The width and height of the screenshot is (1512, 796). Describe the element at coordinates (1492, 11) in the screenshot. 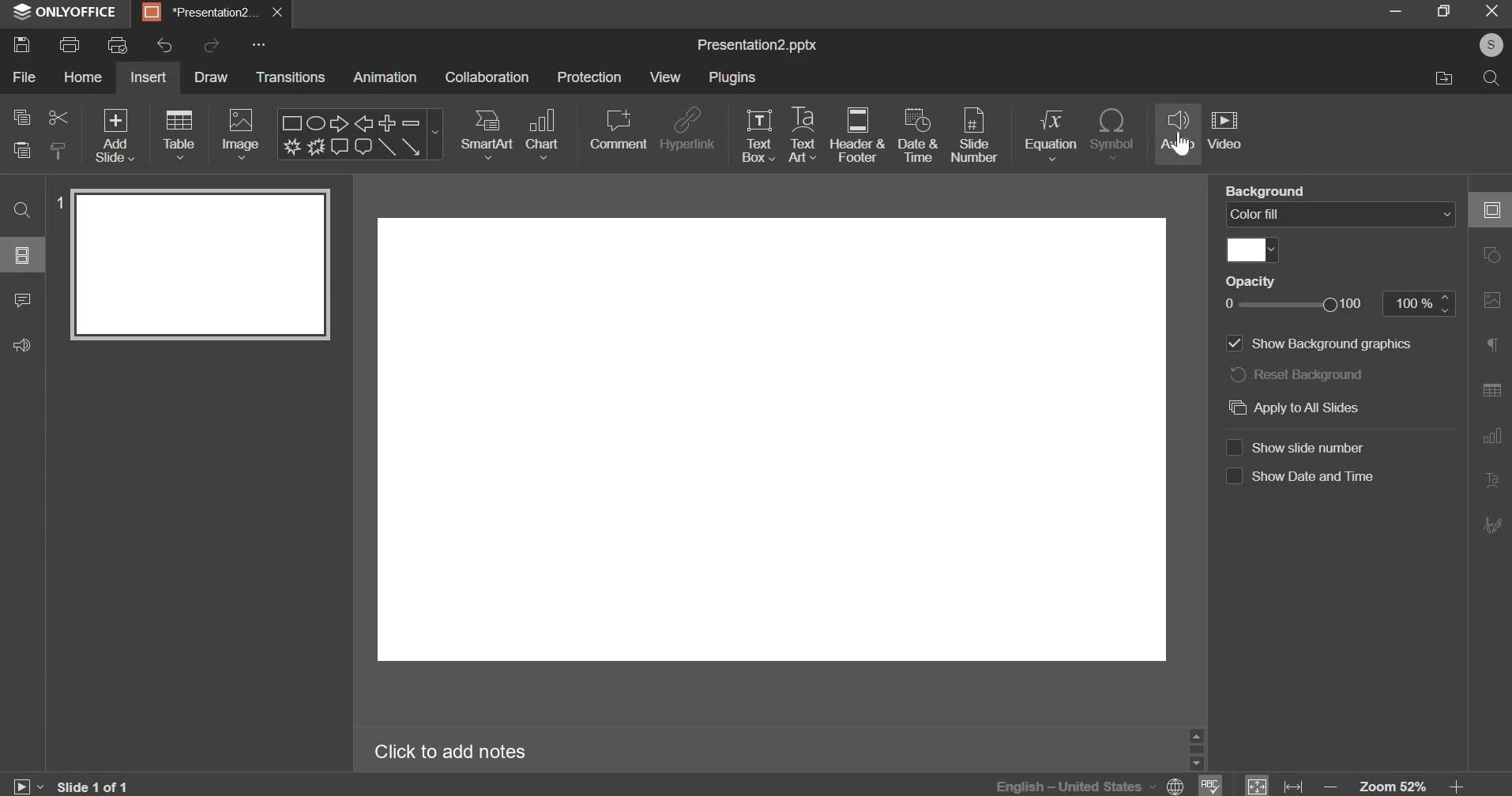

I see `exit` at that location.